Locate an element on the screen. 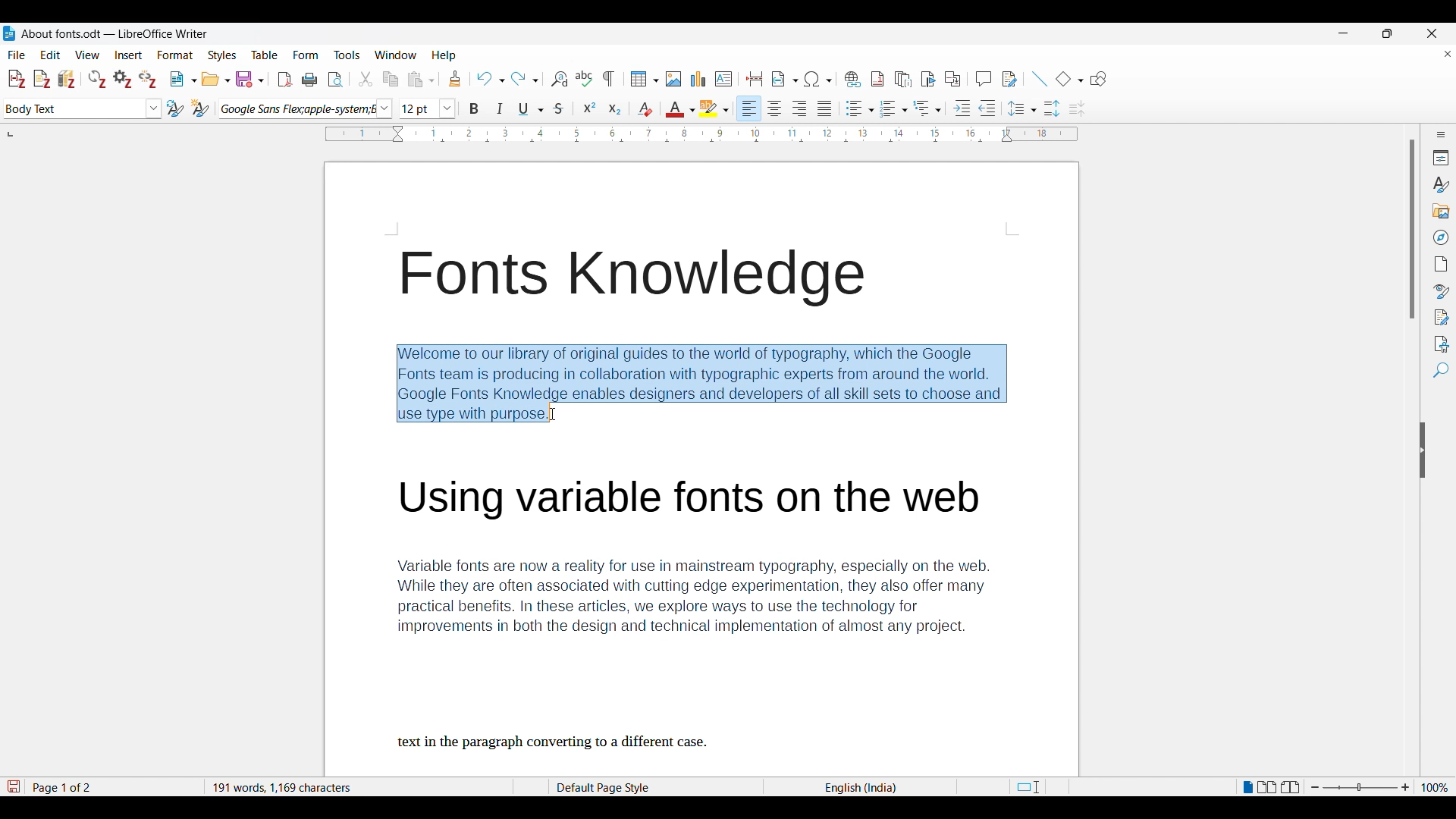 The height and width of the screenshot is (819, 1456). Show in smaller tab is located at coordinates (1387, 33).